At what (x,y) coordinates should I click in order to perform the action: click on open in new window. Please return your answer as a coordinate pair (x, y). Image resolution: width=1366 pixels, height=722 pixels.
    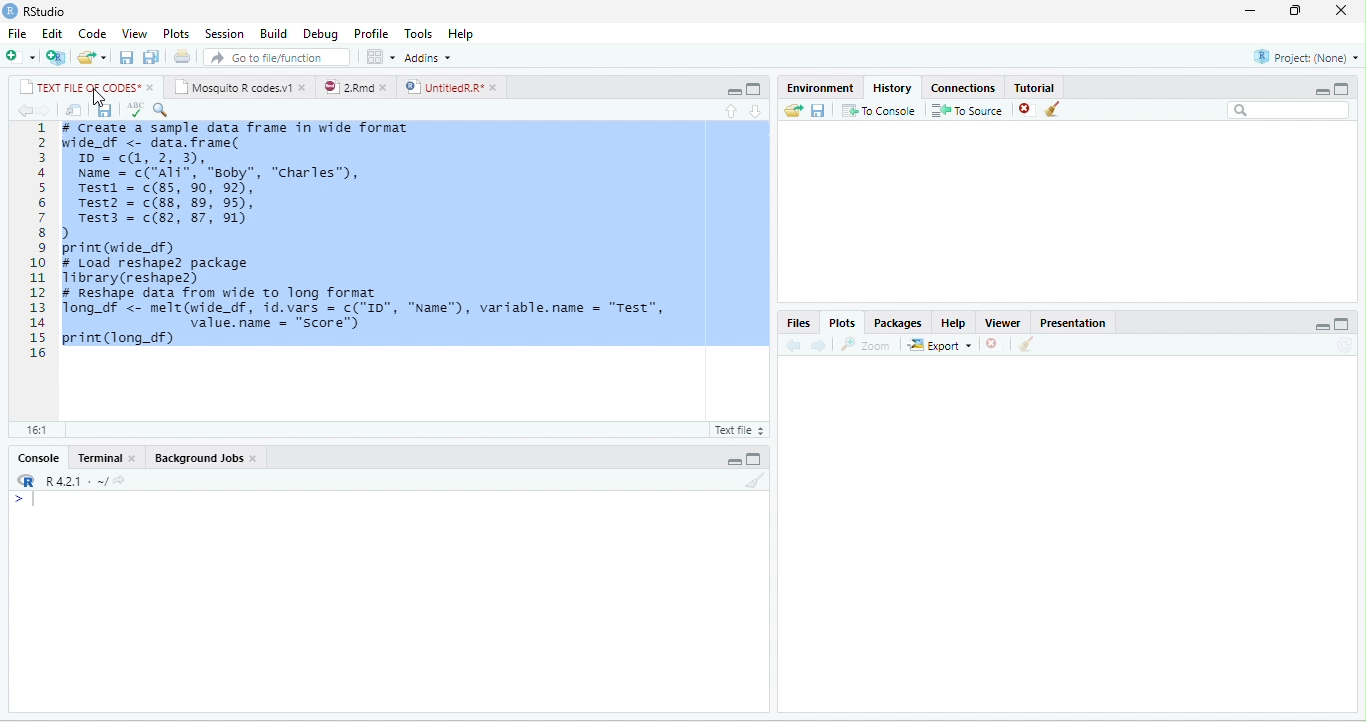
    Looking at the image, I should click on (73, 110).